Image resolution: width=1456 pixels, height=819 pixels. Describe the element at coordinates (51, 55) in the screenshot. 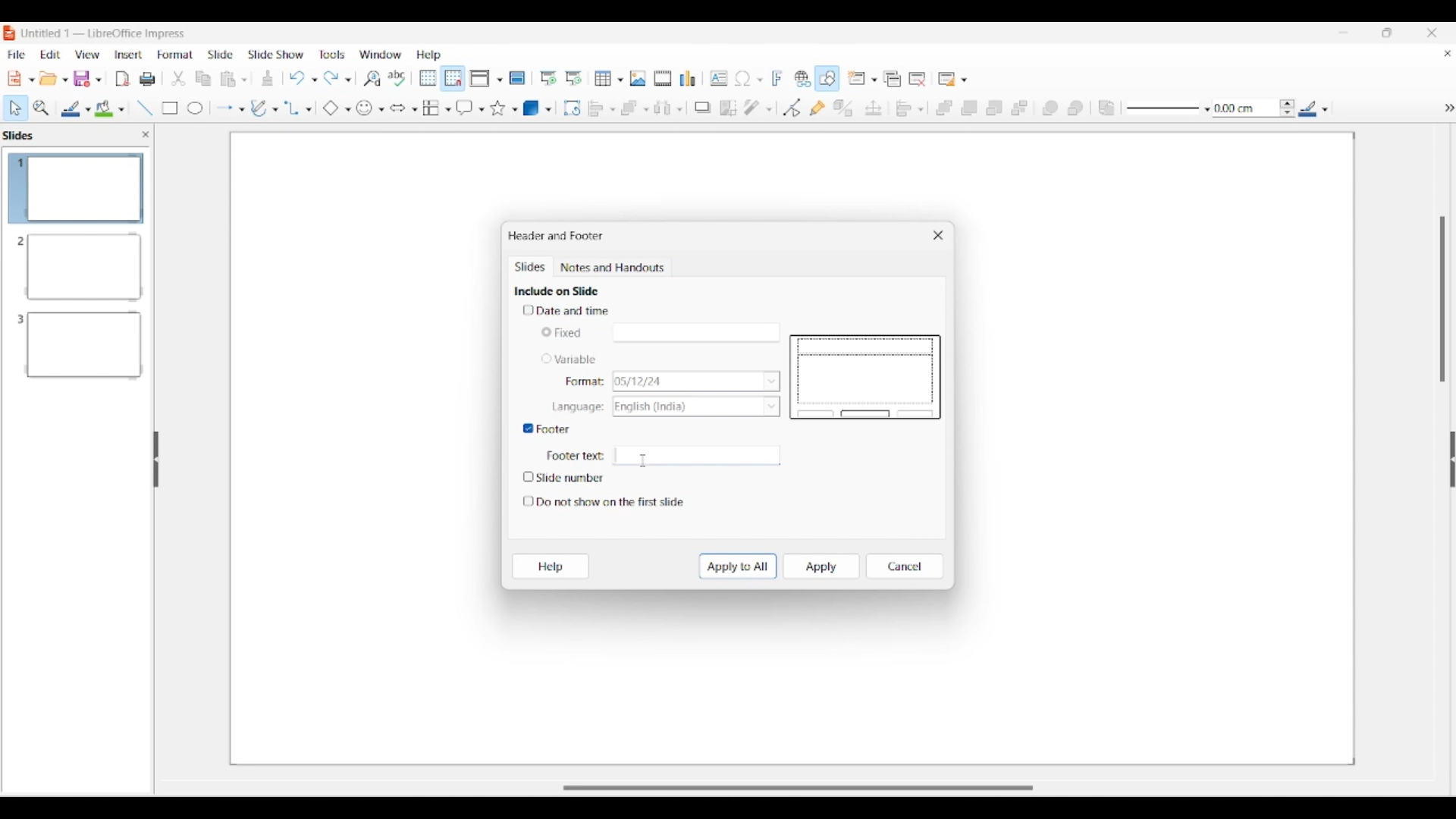

I see `Edit menu` at that location.